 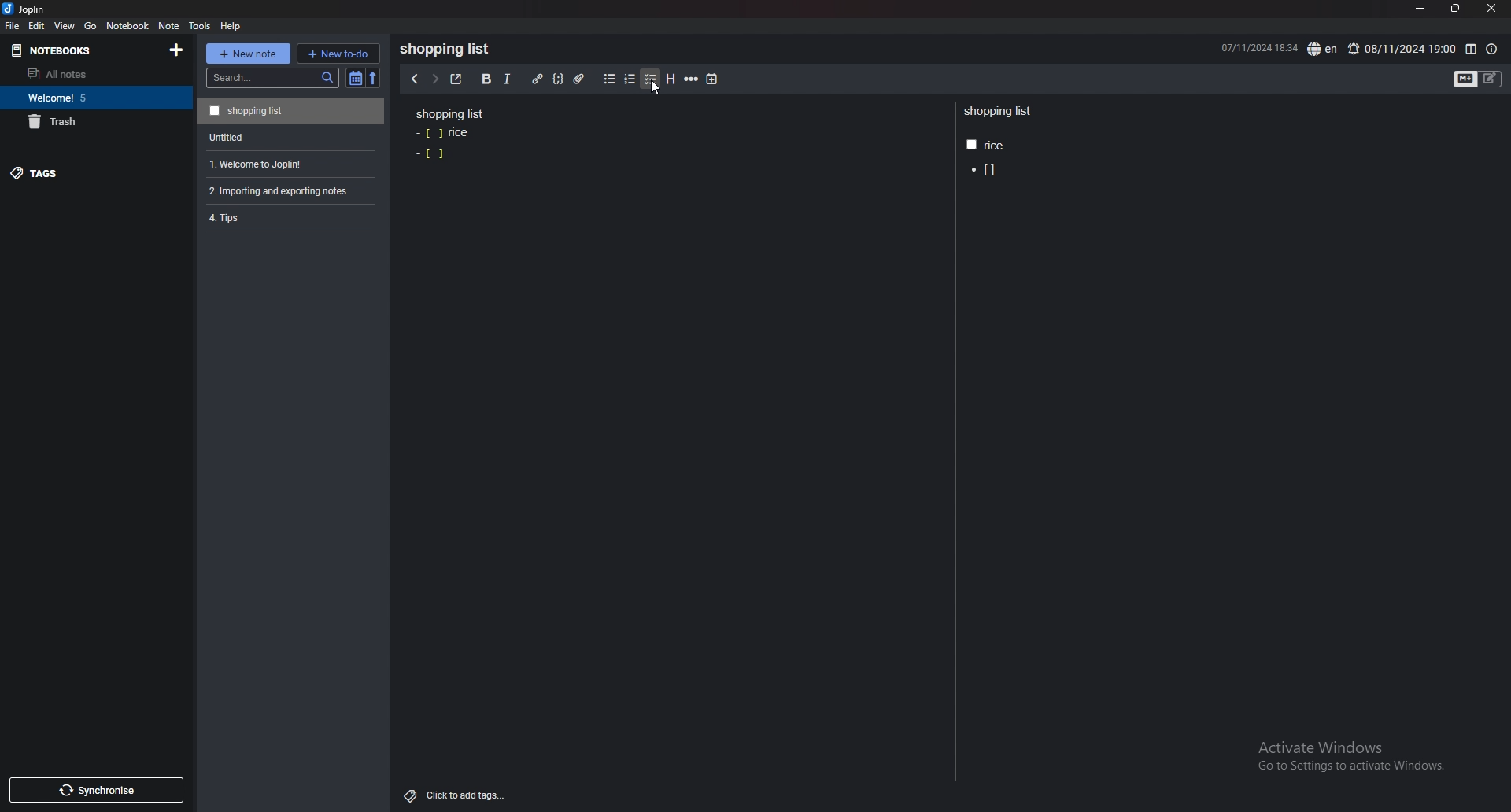 What do you see at coordinates (376, 78) in the screenshot?
I see `reverse sort order` at bounding box center [376, 78].